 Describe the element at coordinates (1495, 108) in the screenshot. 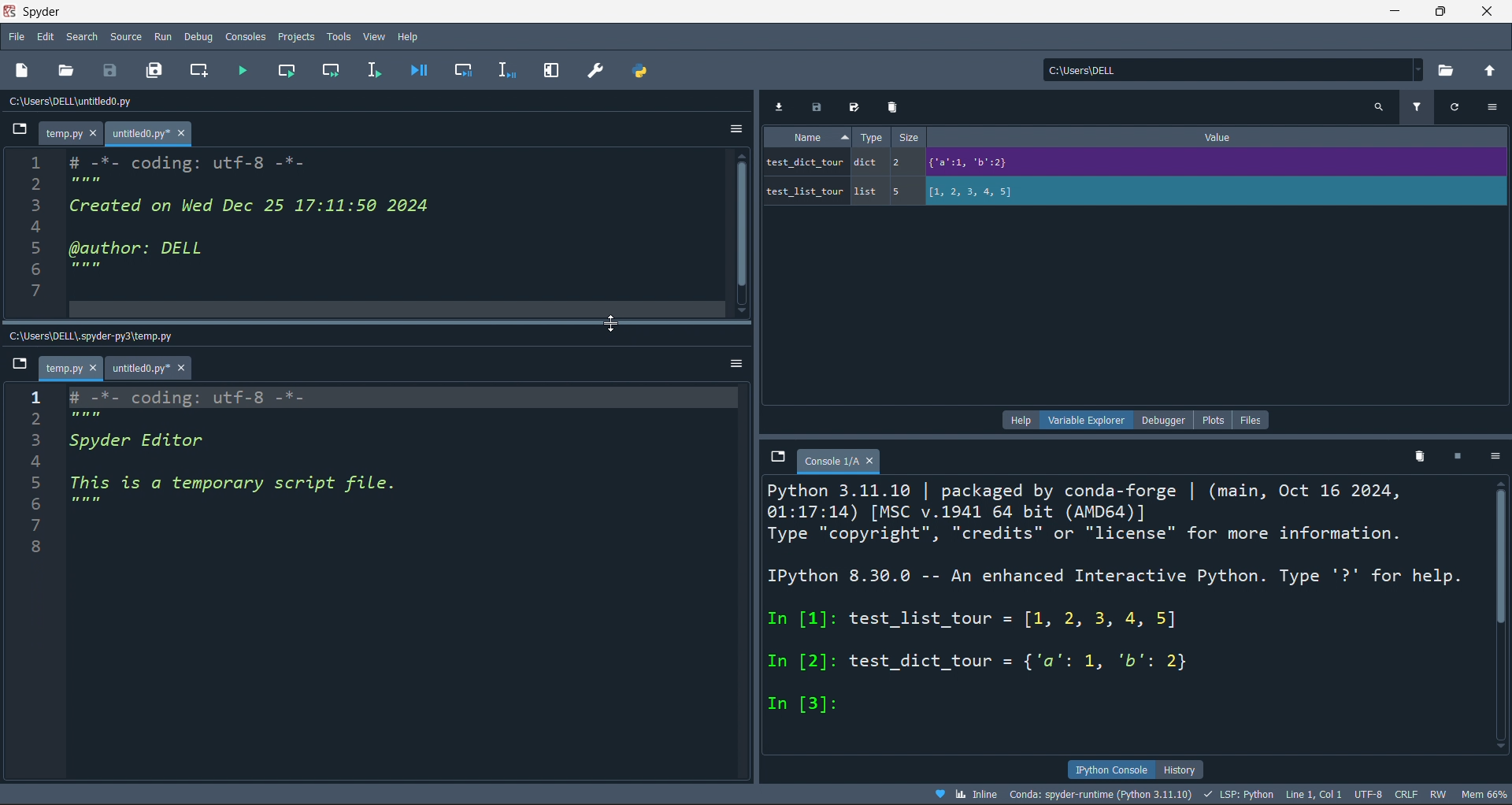

I see `options` at that location.